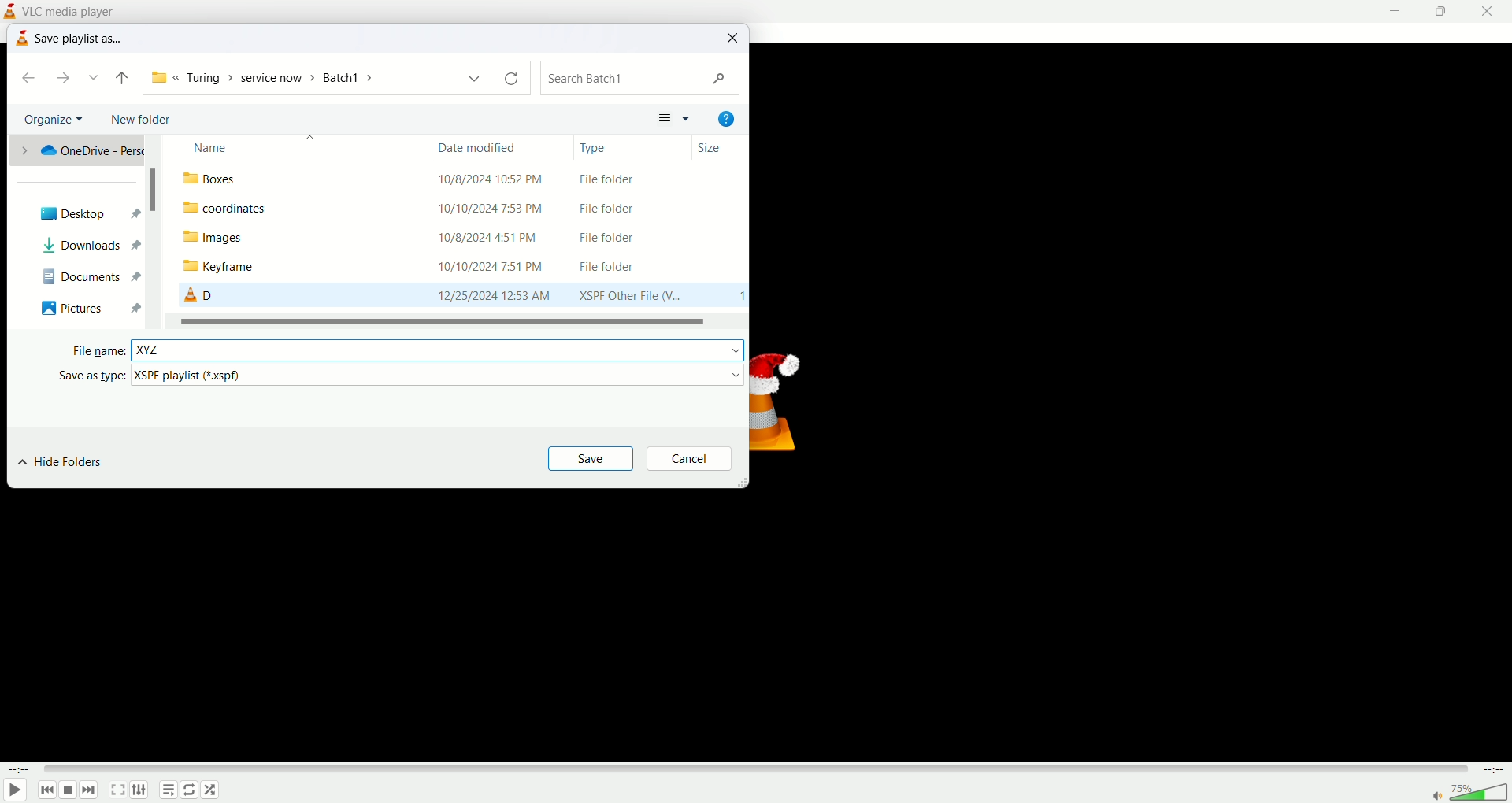  Describe the element at coordinates (493, 238) in the screenshot. I see `Dates` at that location.